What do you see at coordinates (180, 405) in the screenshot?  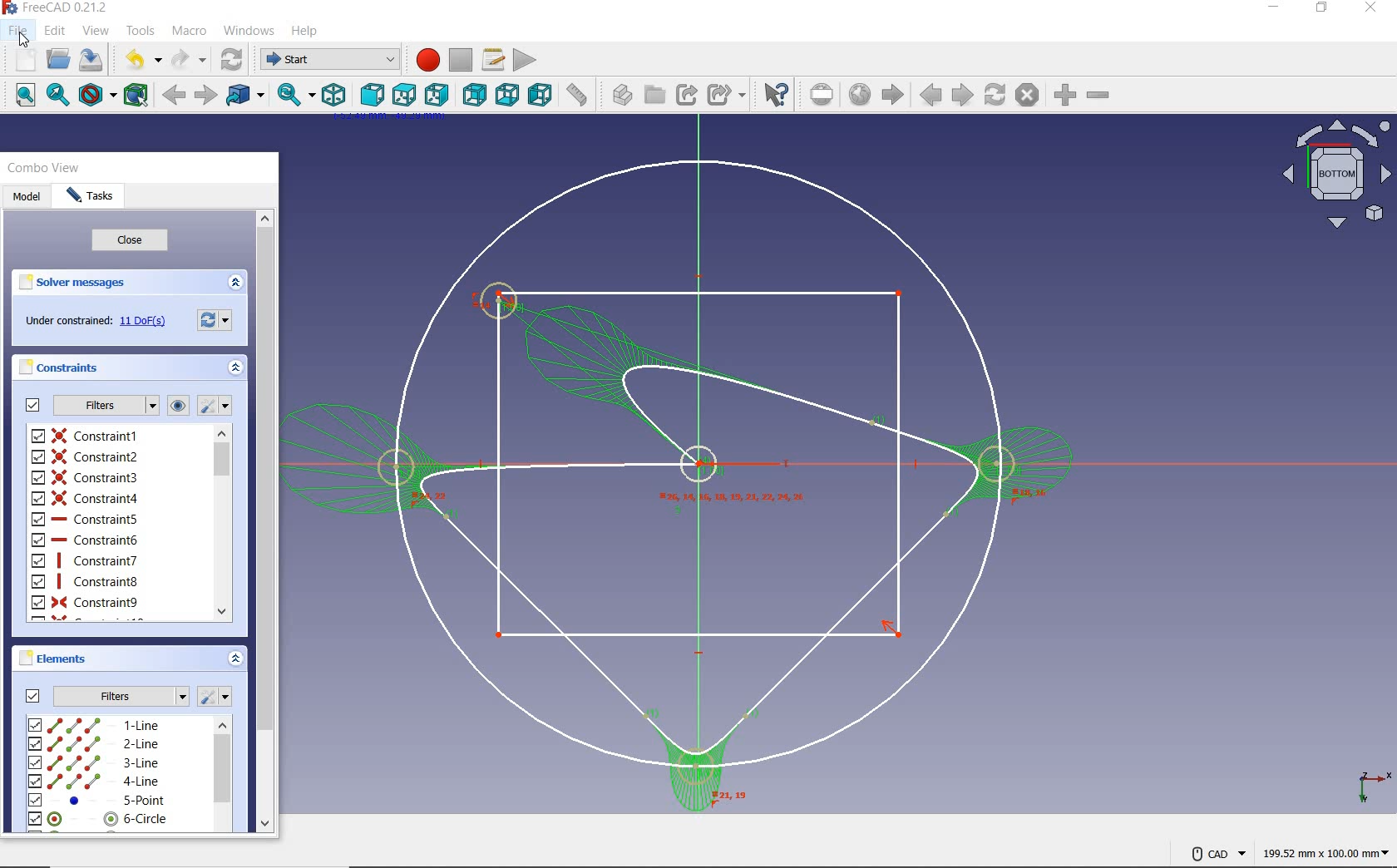 I see `constraints` at bounding box center [180, 405].